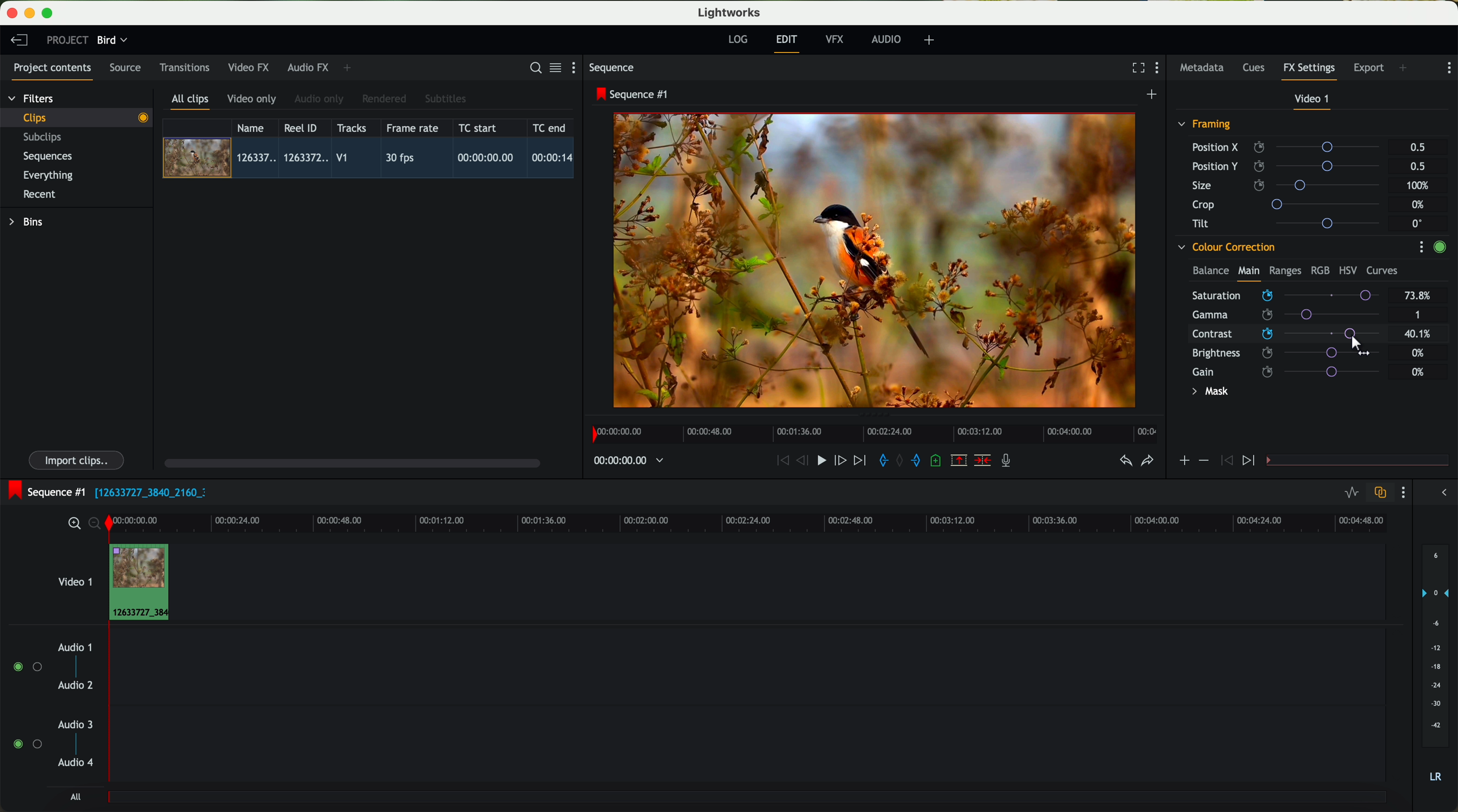  I want to click on audio 3, so click(70, 724).